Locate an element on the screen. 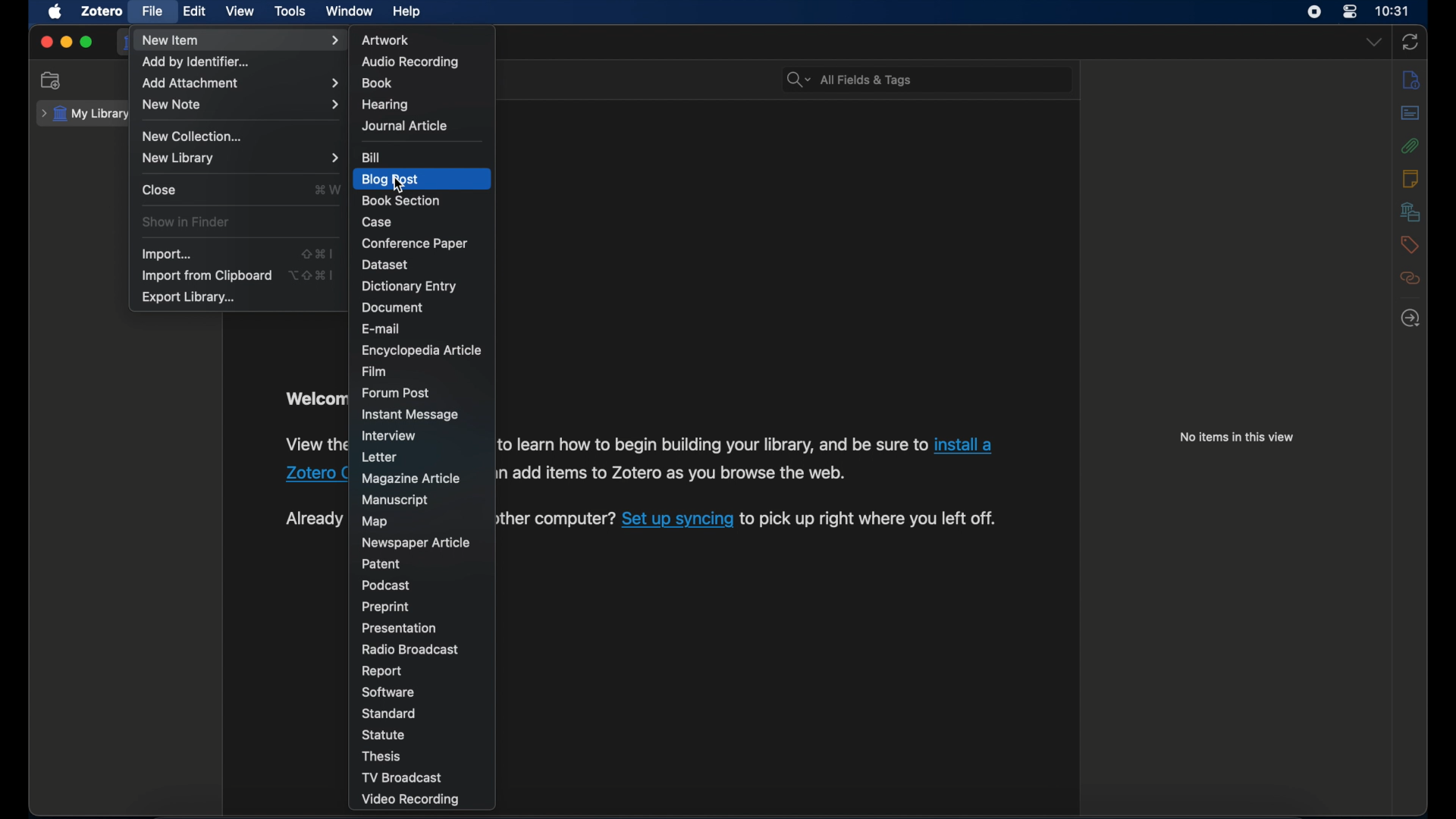 This screenshot has width=1456, height=819. window is located at coordinates (350, 11).